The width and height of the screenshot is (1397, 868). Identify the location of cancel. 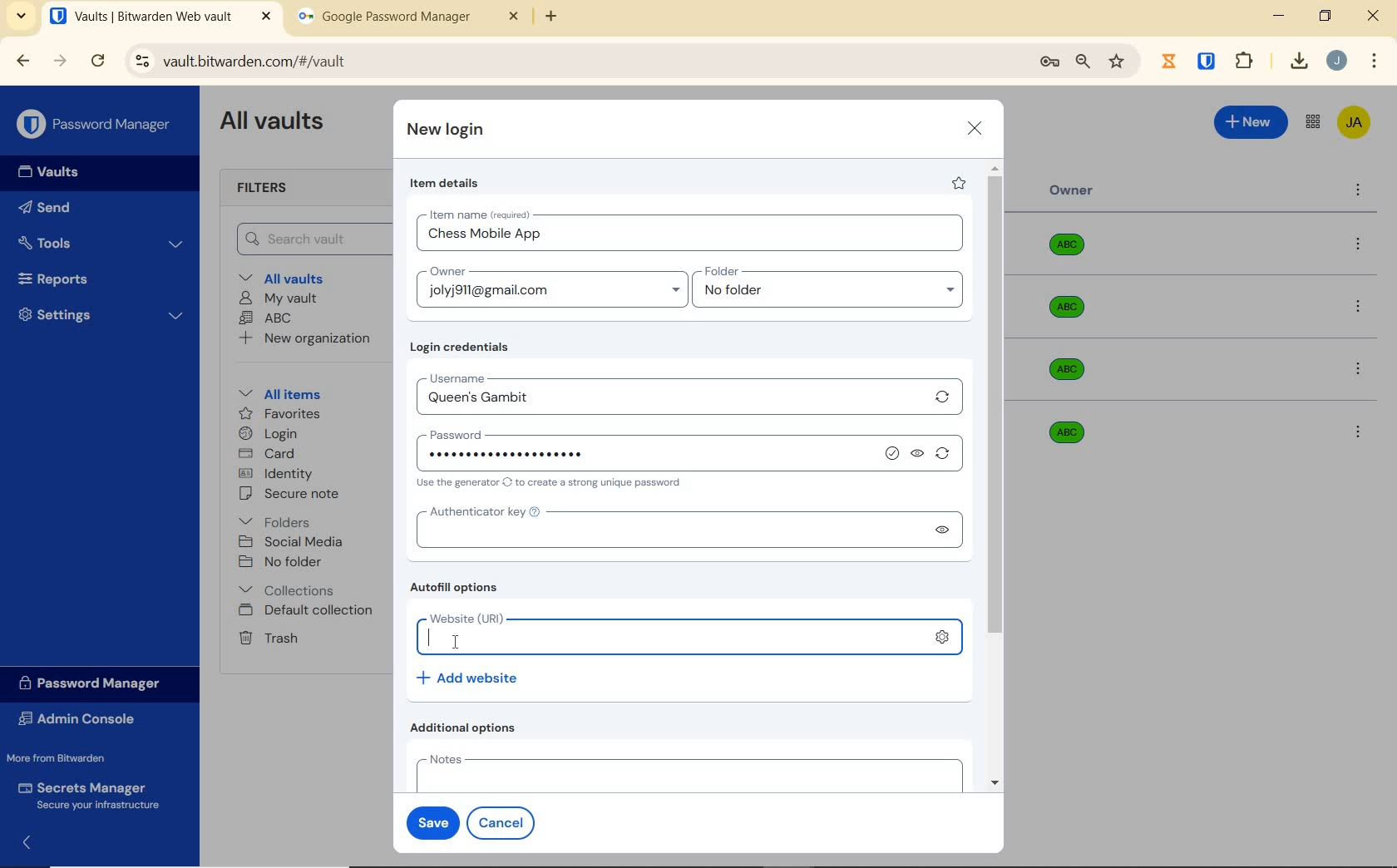
(504, 822).